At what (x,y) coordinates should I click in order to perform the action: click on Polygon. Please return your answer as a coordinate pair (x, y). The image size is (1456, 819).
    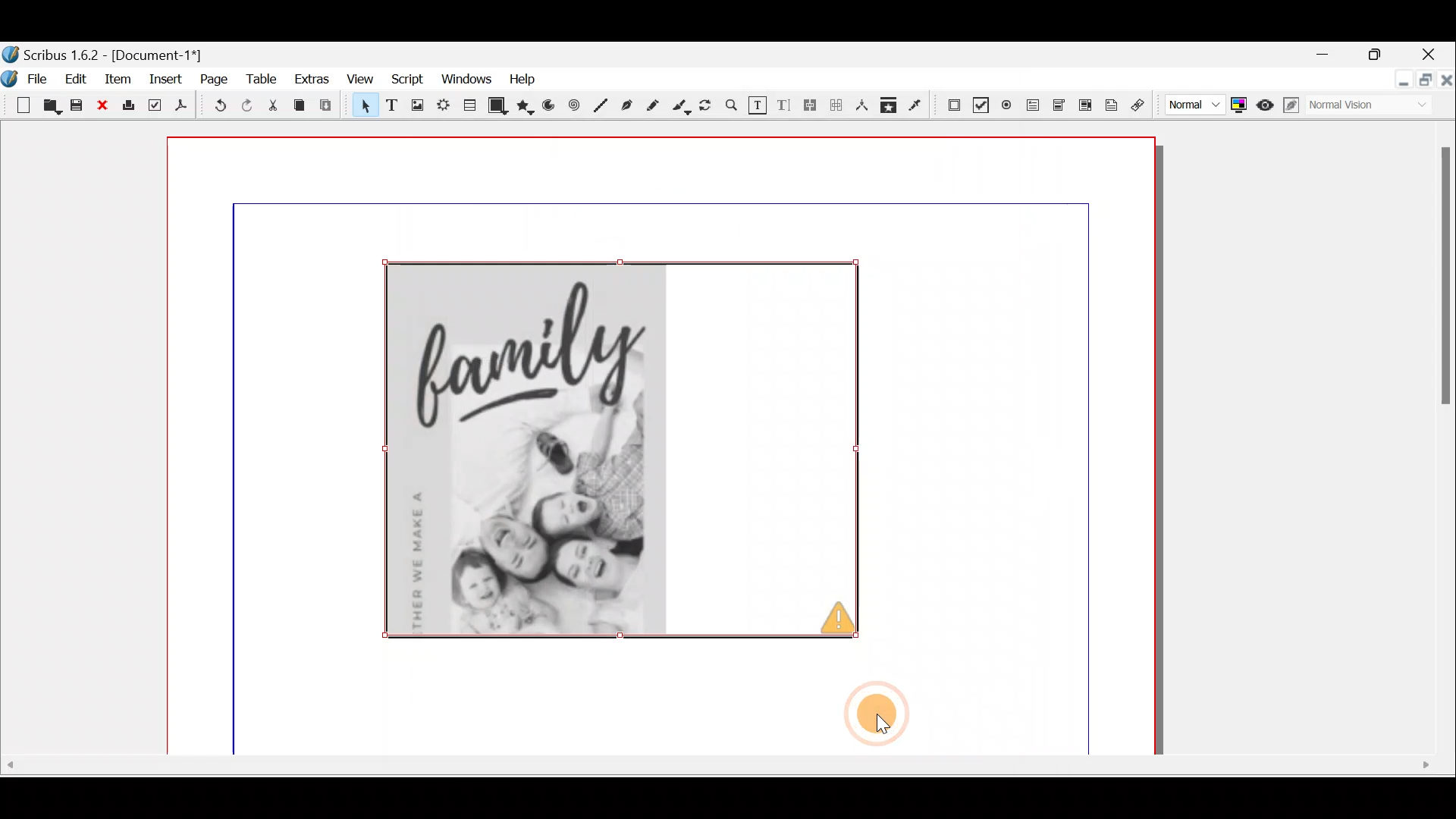
    Looking at the image, I should click on (527, 109).